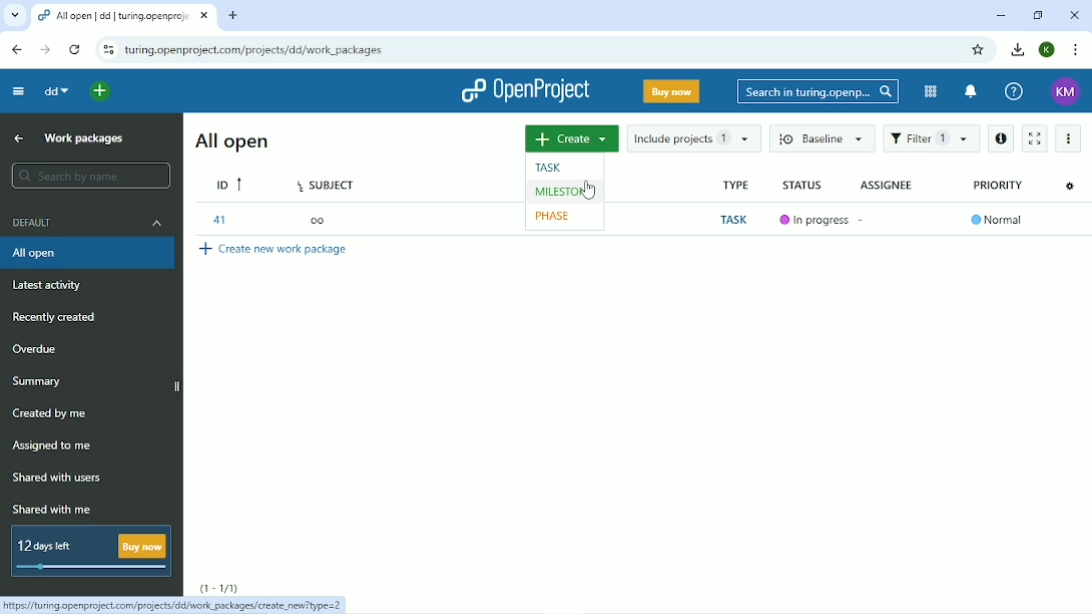 Image resolution: width=1092 pixels, height=614 pixels. What do you see at coordinates (999, 219) in the screenshot?
I see `Normal` at bounding box center [999, 219].